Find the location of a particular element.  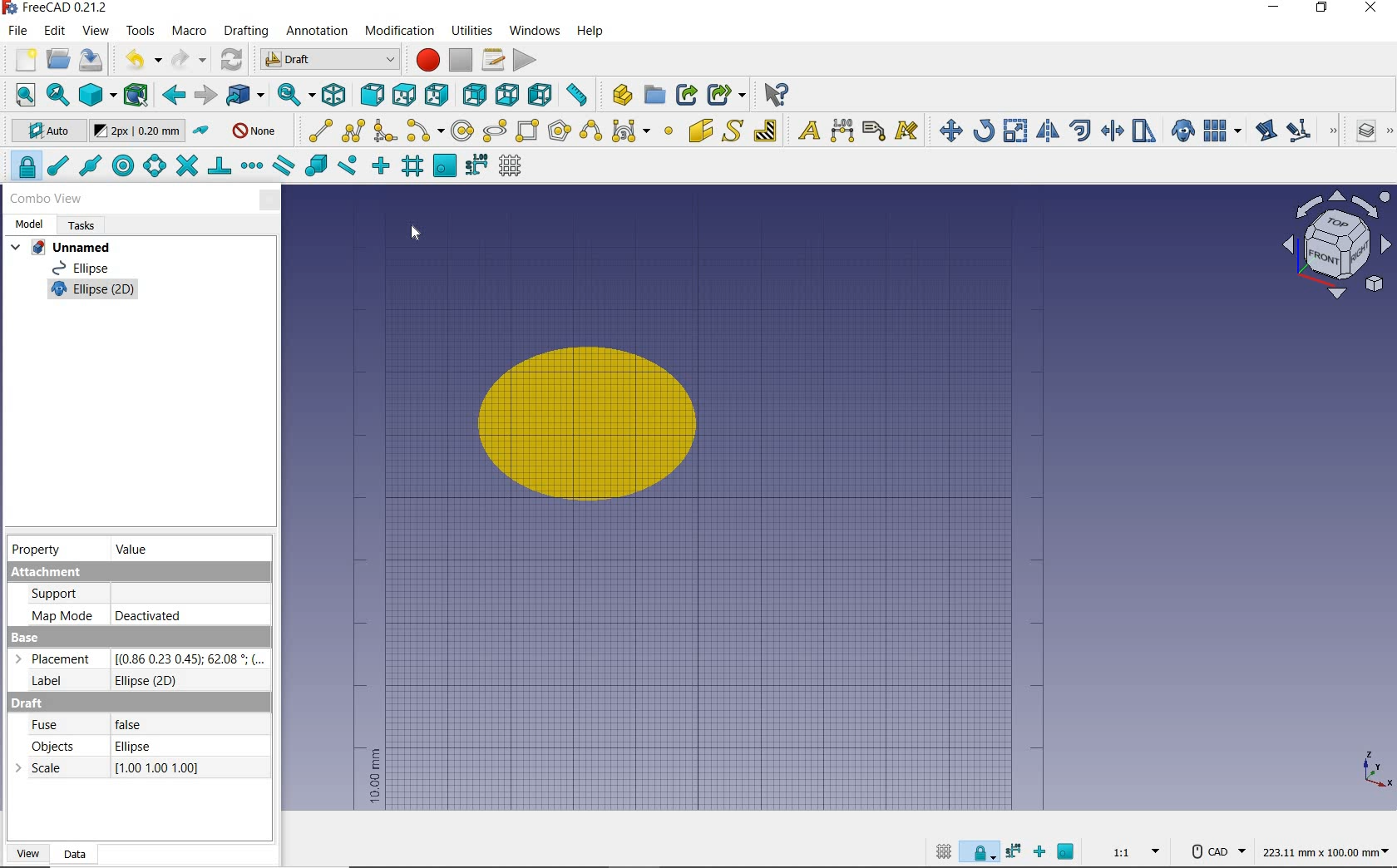

 is located at coordinates (492, 60).